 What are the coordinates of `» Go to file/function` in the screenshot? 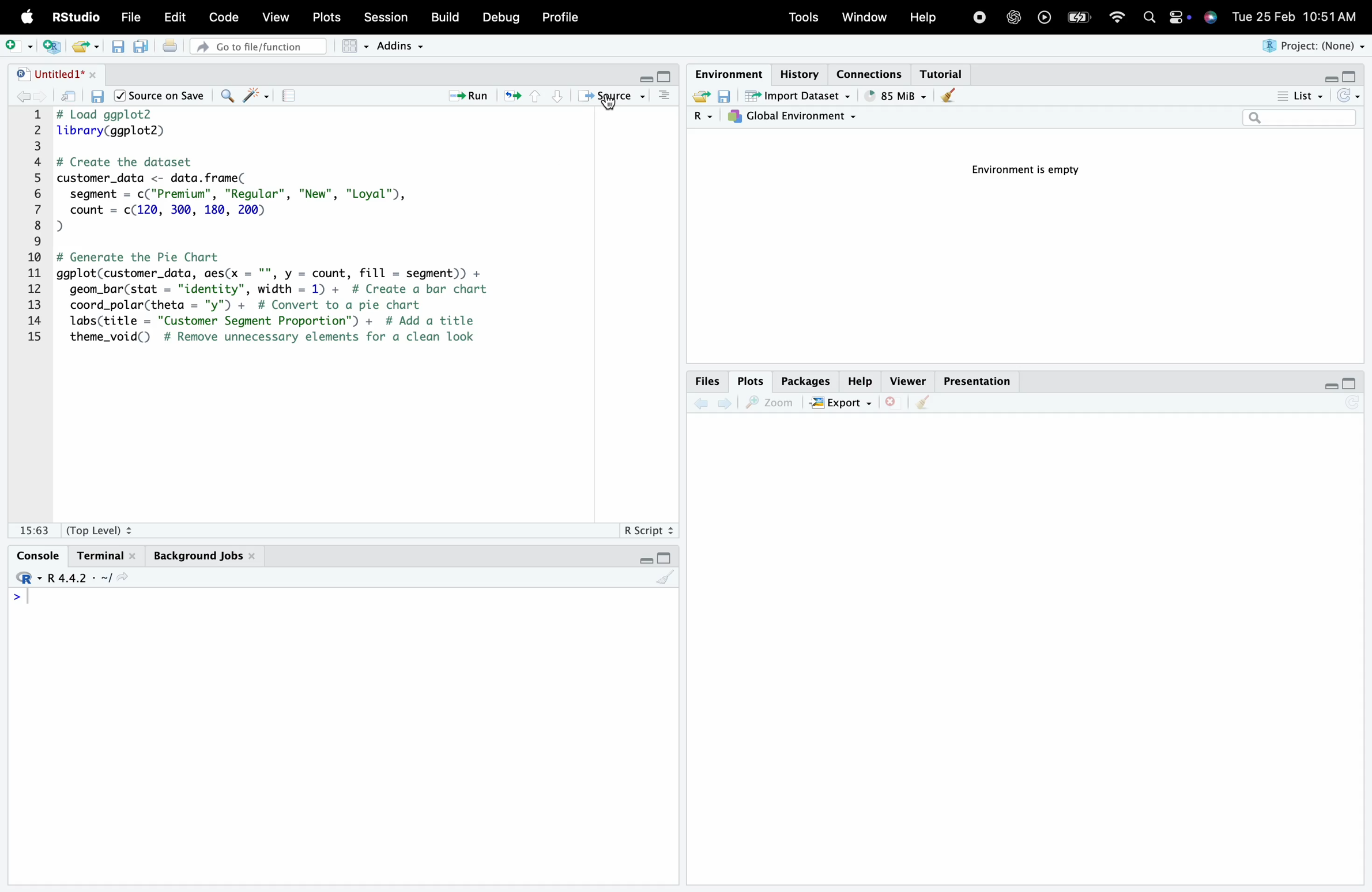 It's located at (258, 46).